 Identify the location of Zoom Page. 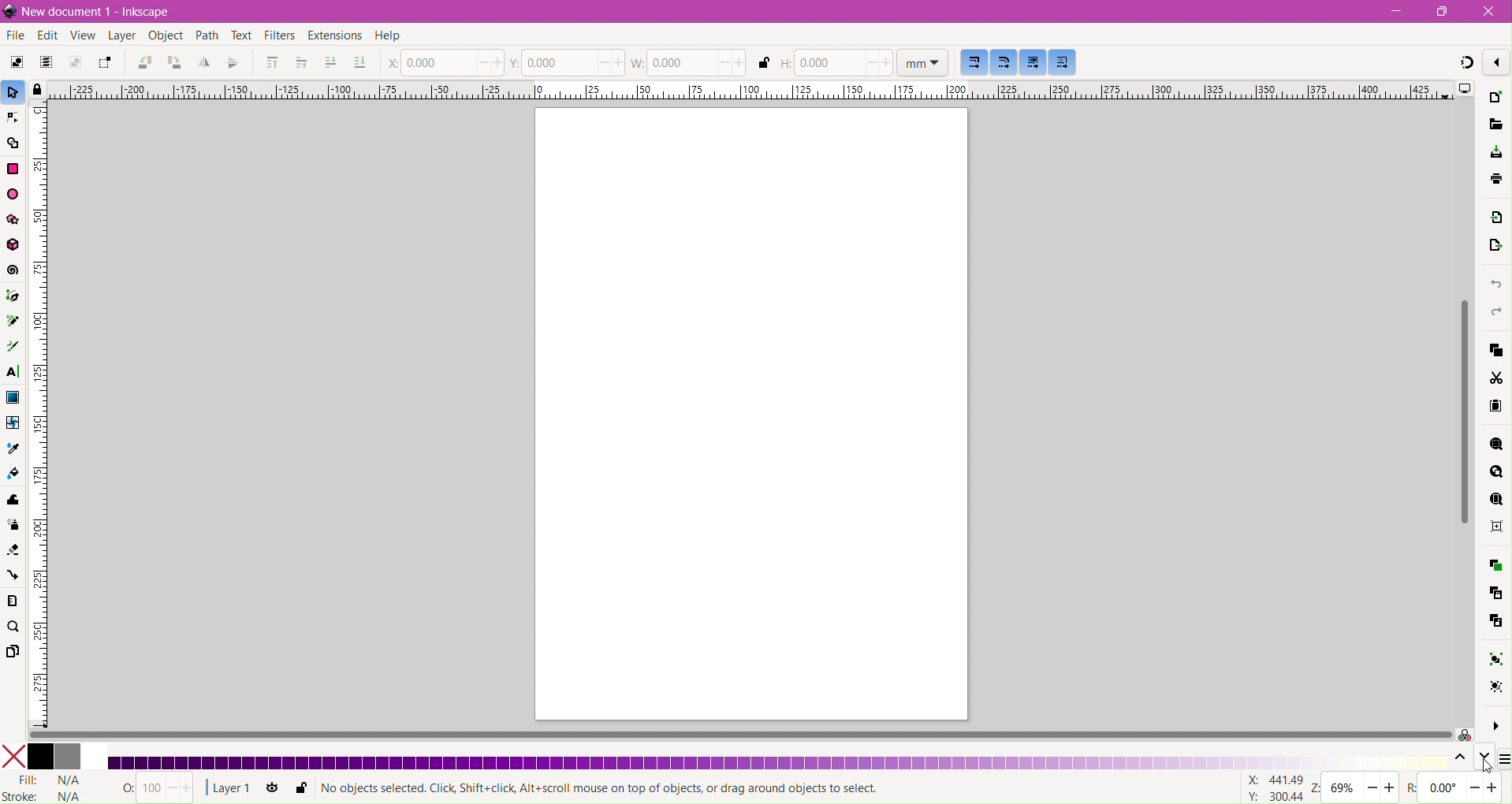
(1495, 500).